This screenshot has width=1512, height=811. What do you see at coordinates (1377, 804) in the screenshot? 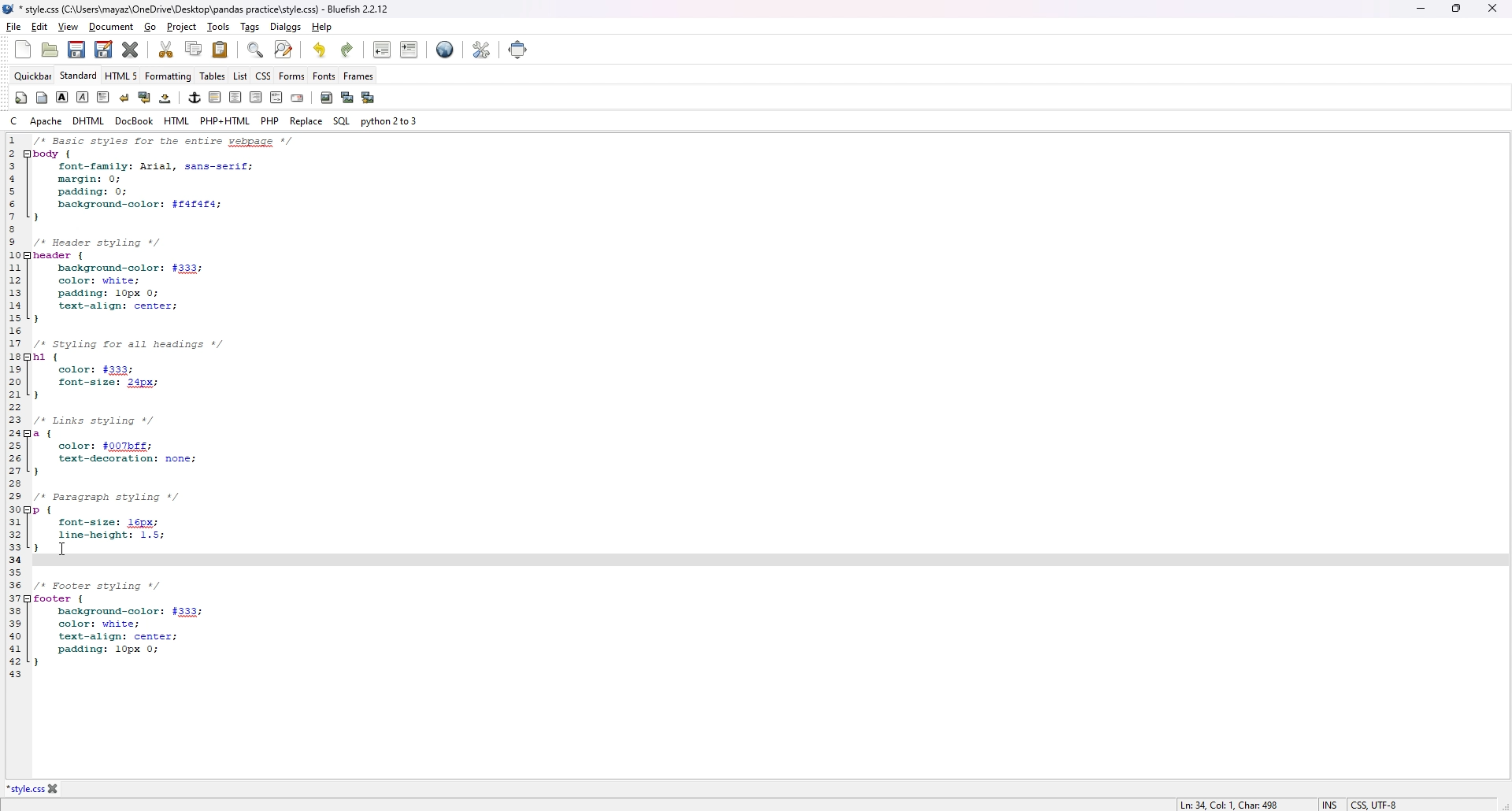
I see `CSS, UTF-8` at bounding box center [1377, 804].